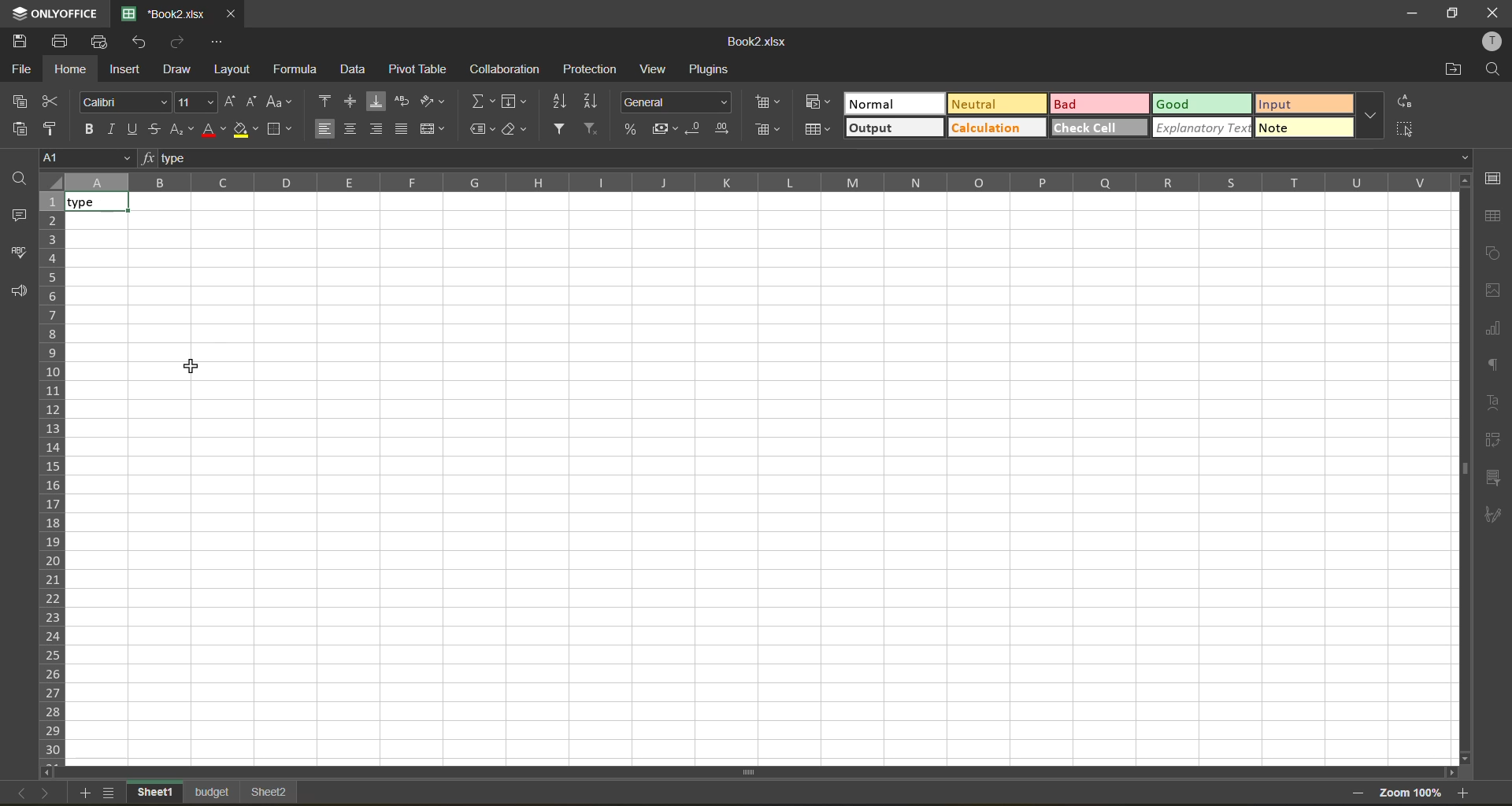 The height and width of the screenshot is (806, 1512). What do you see at coordinates (756, 42) in the screenshot?
I see `file name` at bounding box center [756, 42].